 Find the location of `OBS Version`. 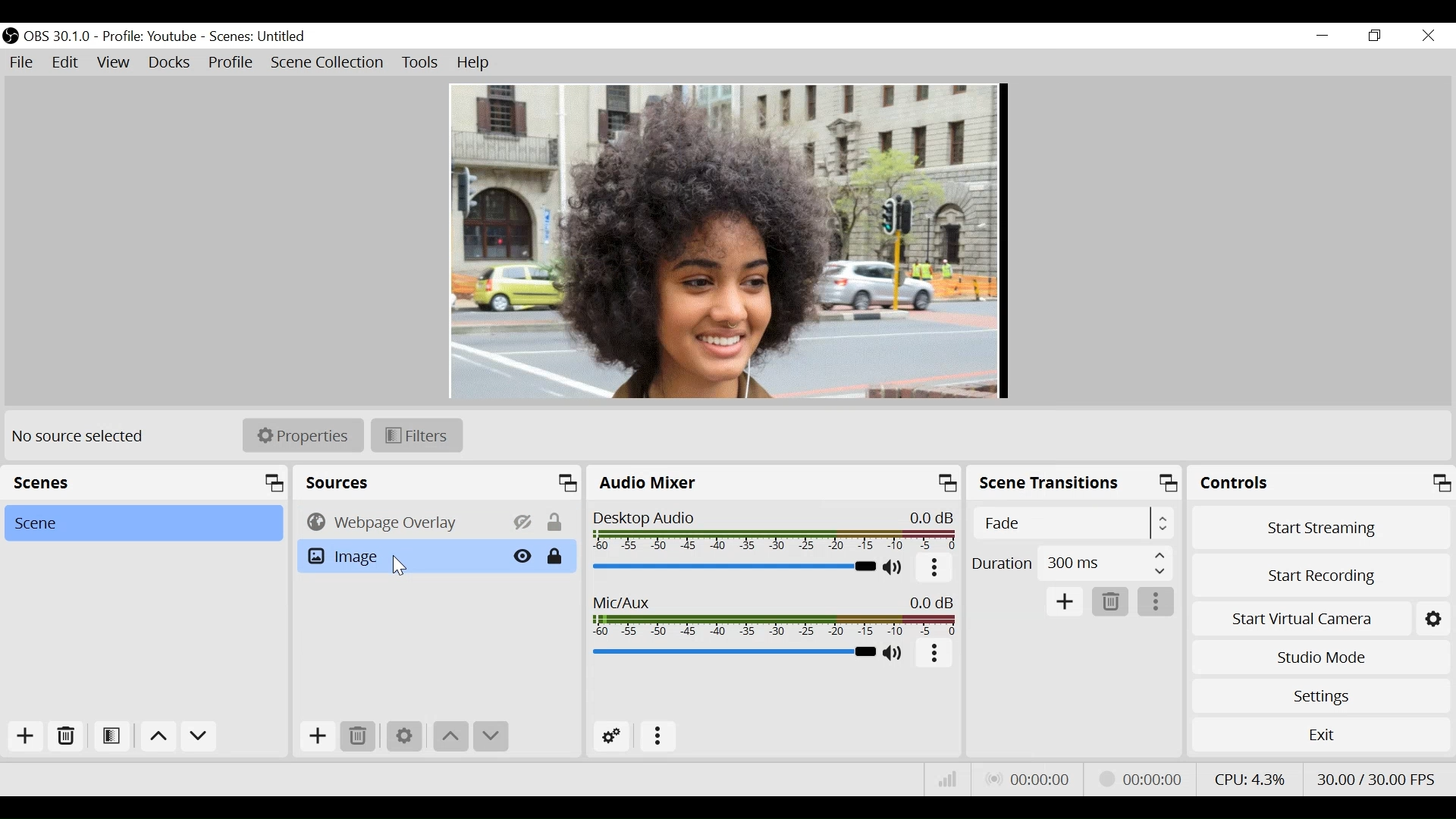

OBS Version is located at coordinates (58, 37).